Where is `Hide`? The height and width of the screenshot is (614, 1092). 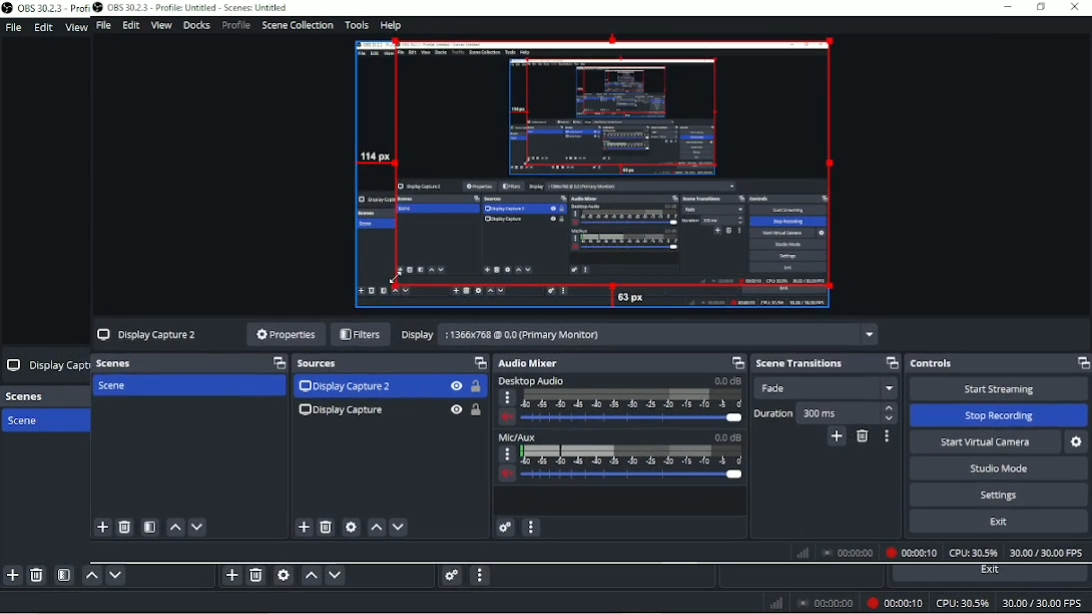
Hide is located at coordinates (454, 411).